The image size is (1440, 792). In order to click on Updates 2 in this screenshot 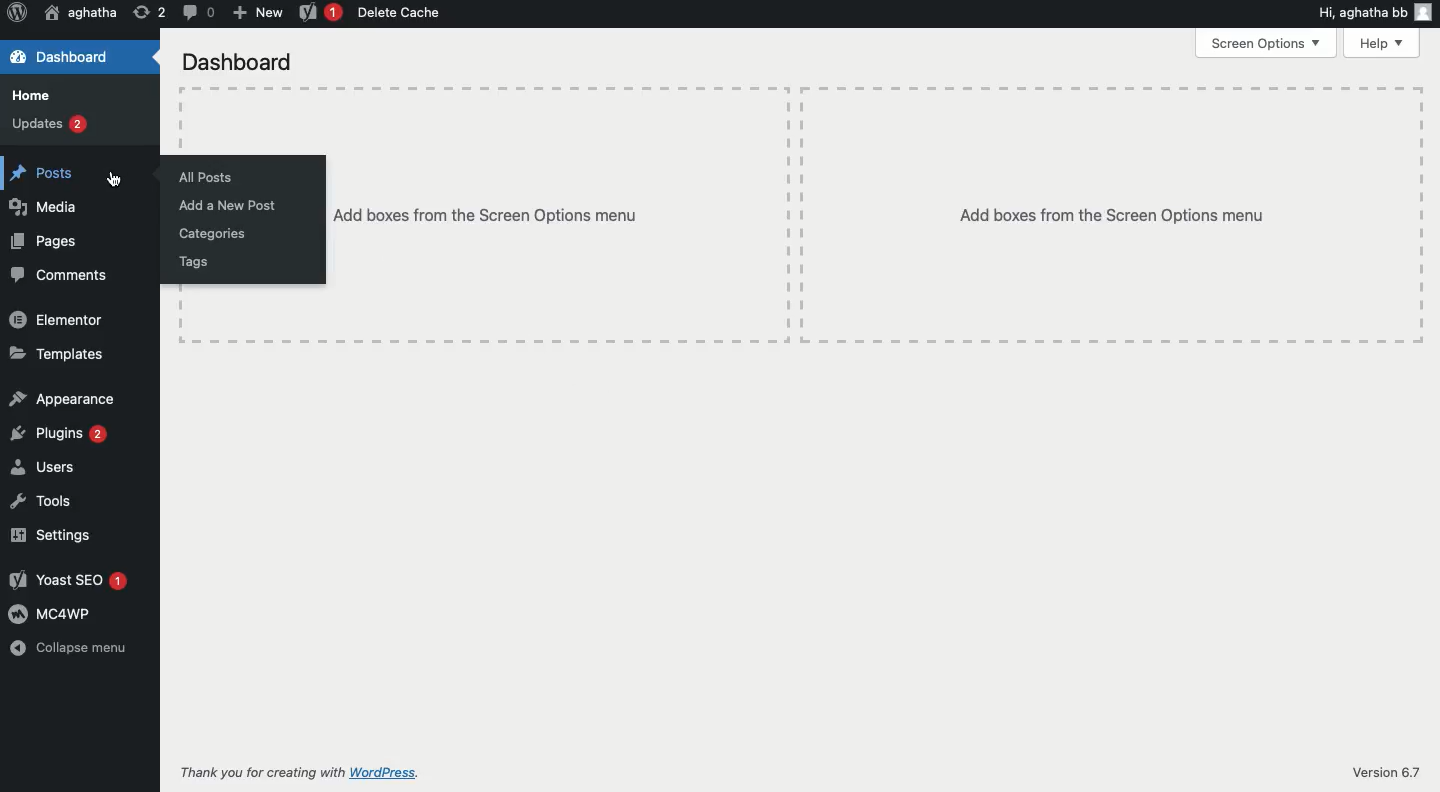, I will do `click(54, 126)`.